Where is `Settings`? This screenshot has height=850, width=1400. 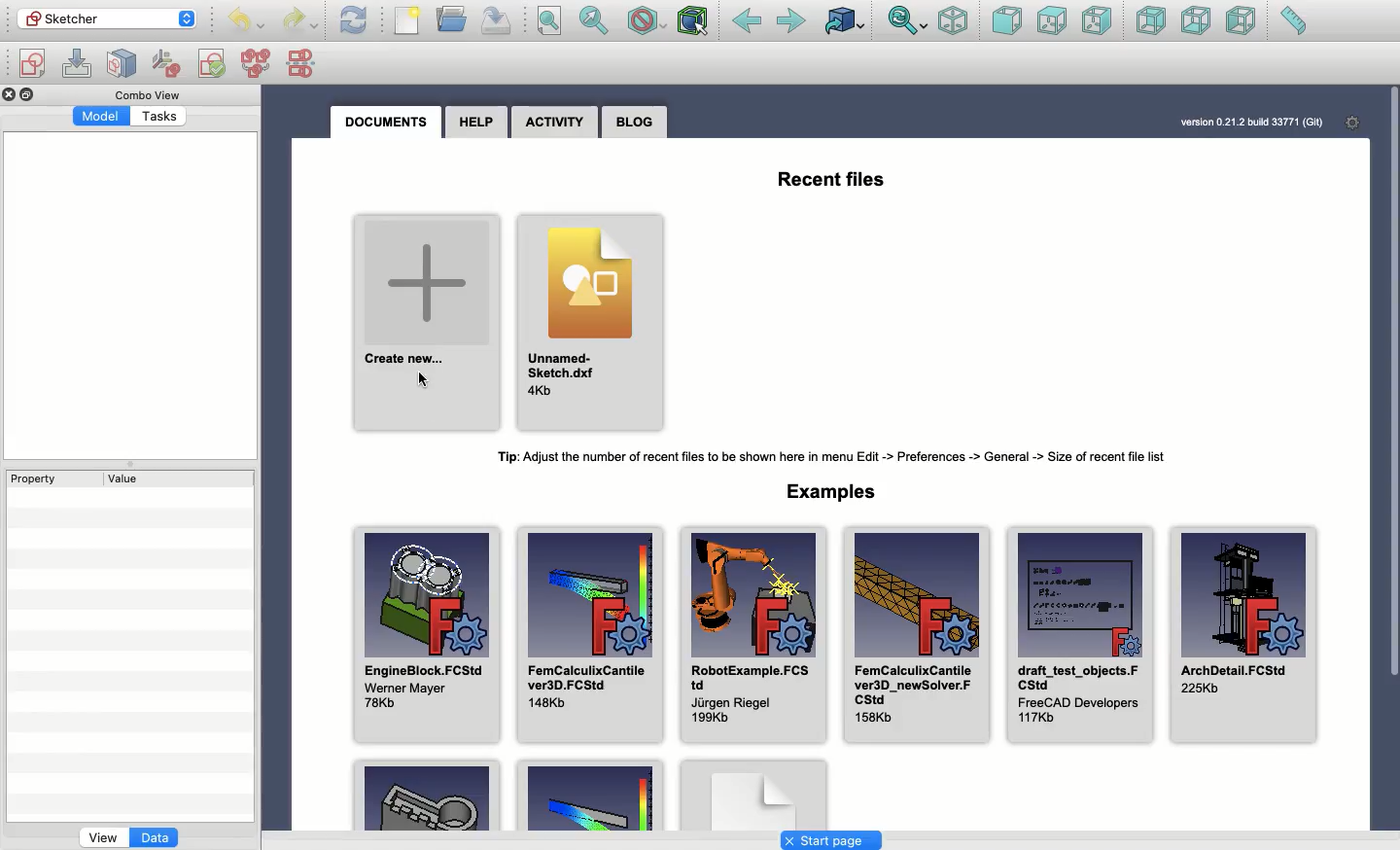
Settings is located at coordinates (1352, 122).